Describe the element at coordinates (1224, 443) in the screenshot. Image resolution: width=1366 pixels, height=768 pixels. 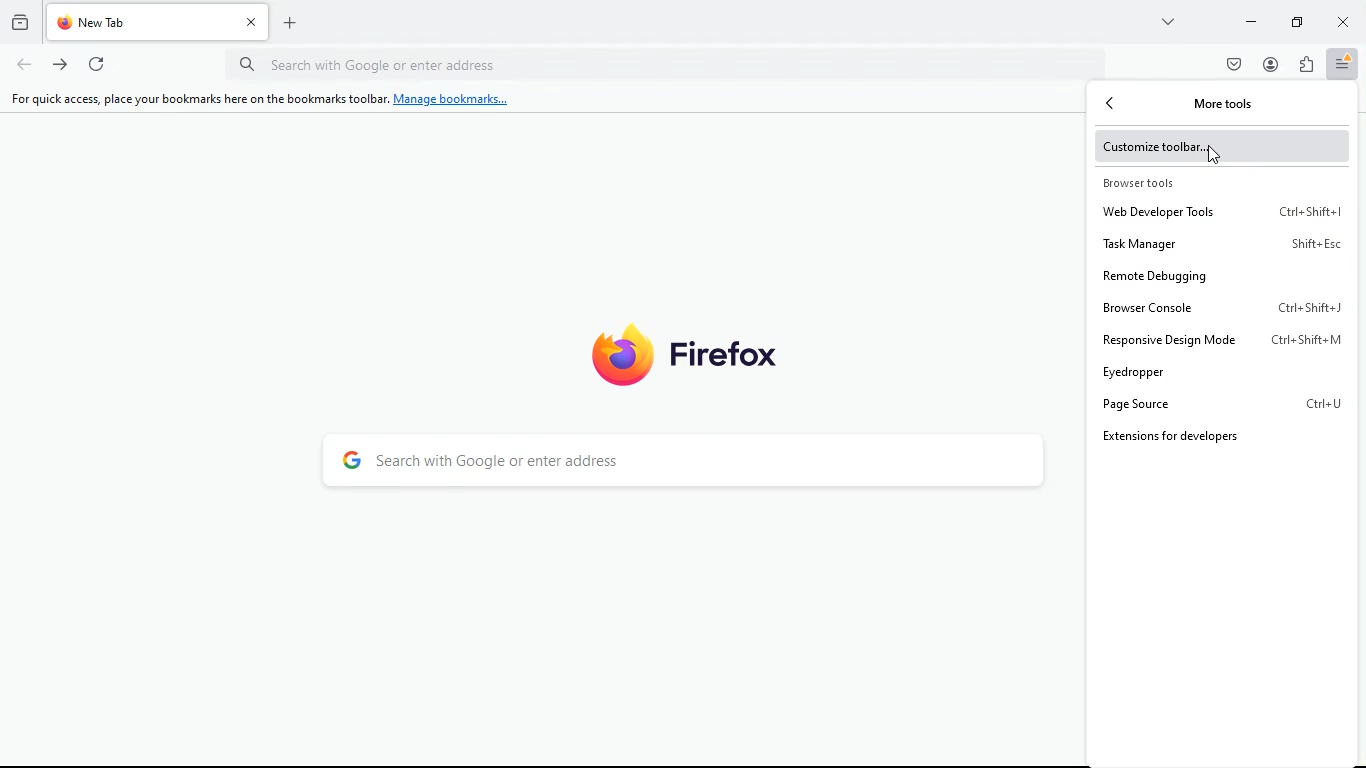
I see `extension for developers` at that location.